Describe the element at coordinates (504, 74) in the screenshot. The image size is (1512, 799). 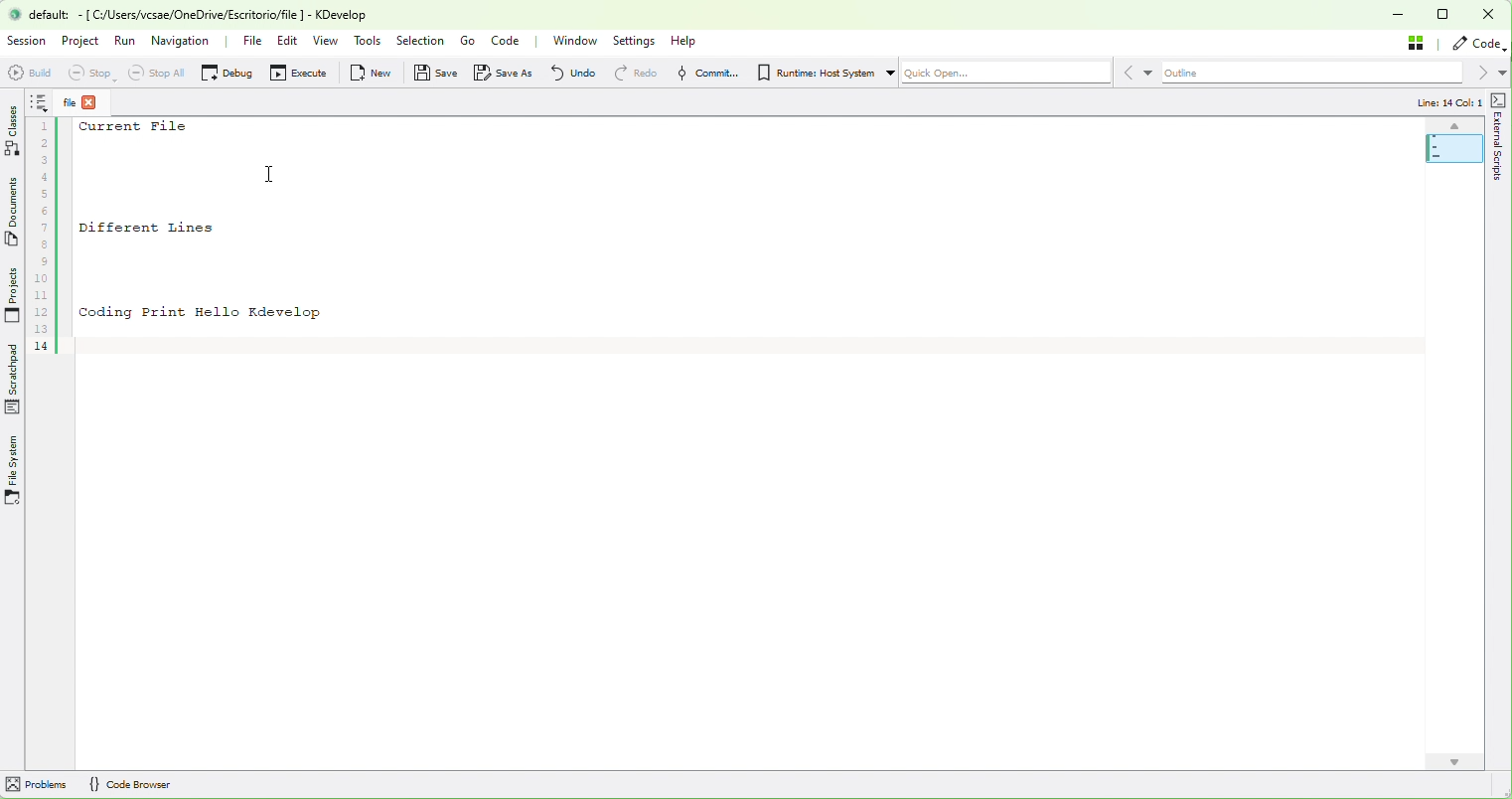
I see `Save As` at that location.